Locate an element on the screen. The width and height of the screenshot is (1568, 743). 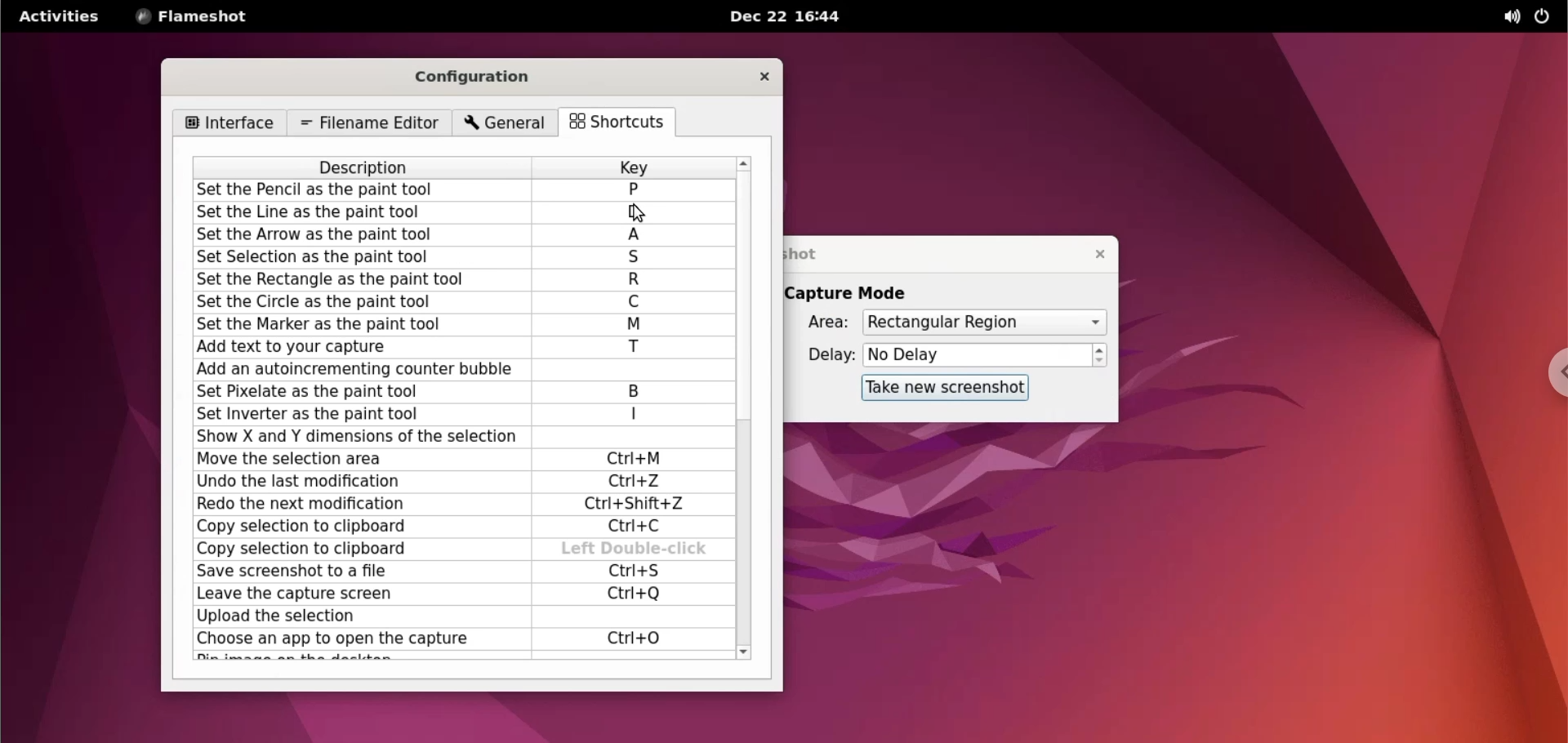
Area: is located at coordinates (817, 323).